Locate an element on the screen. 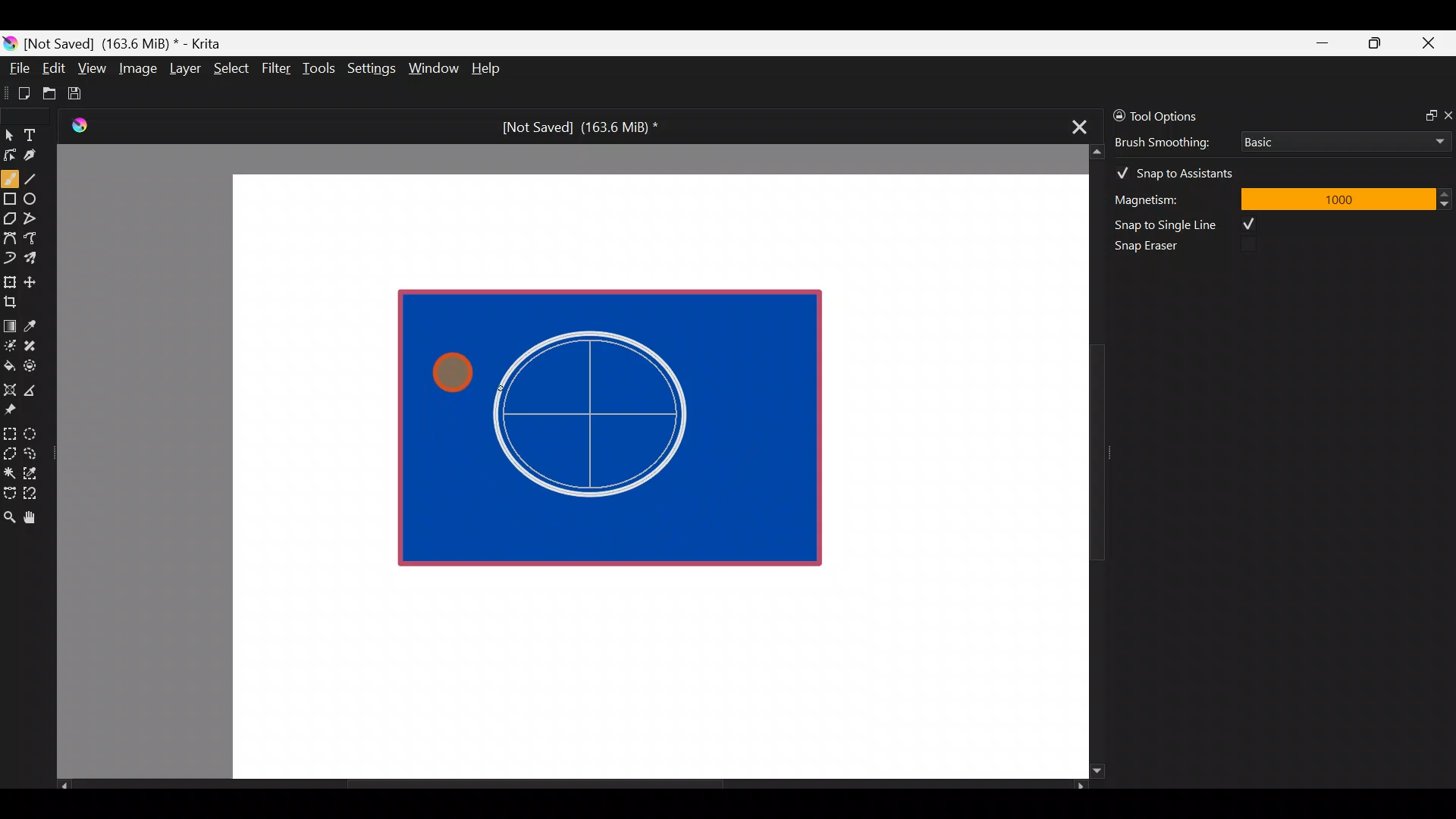 This screenshot has width=1456, height=819. Polyline tool is located at coordinates (36, 219).